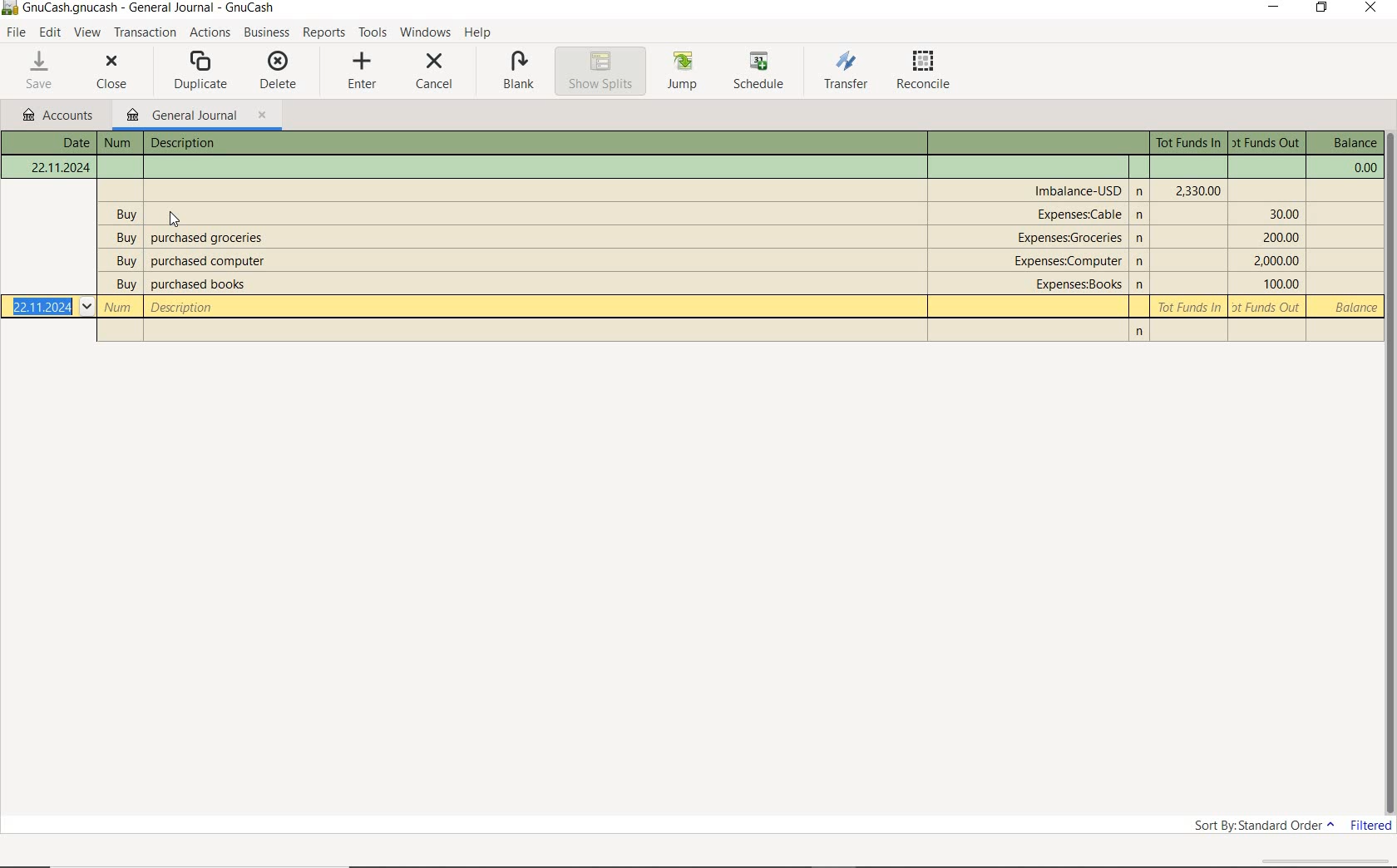  Describe the element at coordinates (702, 238) in the screenshot. I see `Text` at that location.